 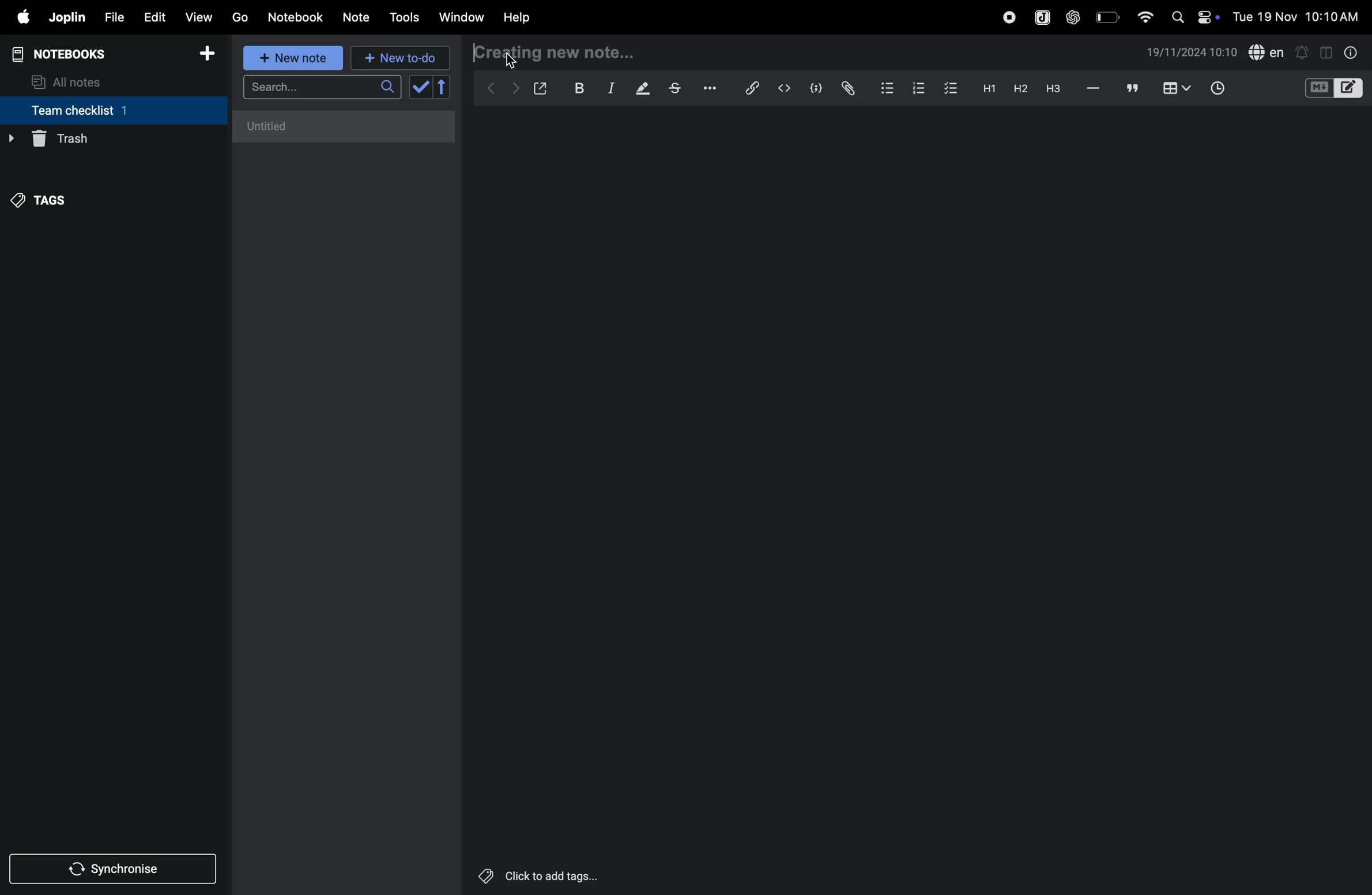 I want to click on itallic, so click(x=609, y=88).